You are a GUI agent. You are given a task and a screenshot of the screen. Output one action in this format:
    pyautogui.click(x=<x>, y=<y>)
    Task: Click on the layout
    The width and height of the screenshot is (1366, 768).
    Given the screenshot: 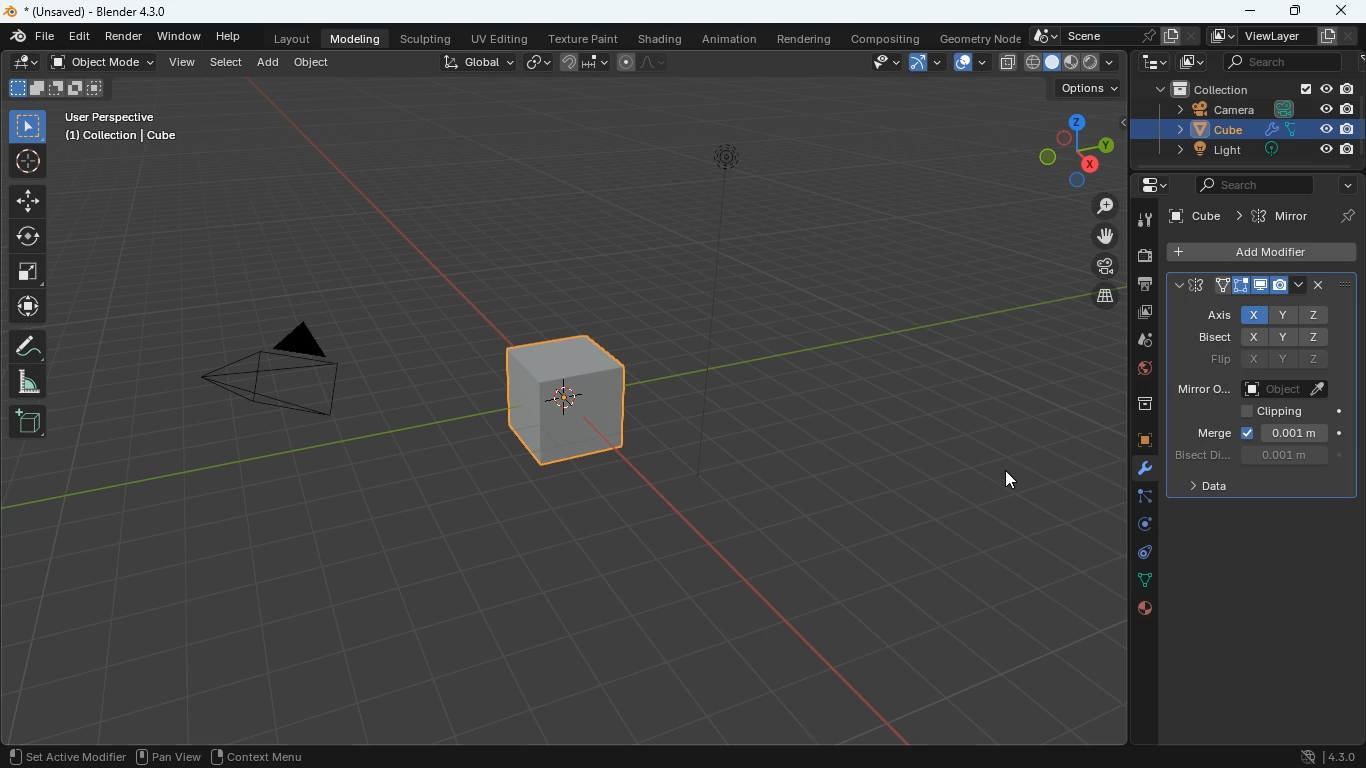 What is the action you would take?
    pyautogui.click(x=291, y=41)
    